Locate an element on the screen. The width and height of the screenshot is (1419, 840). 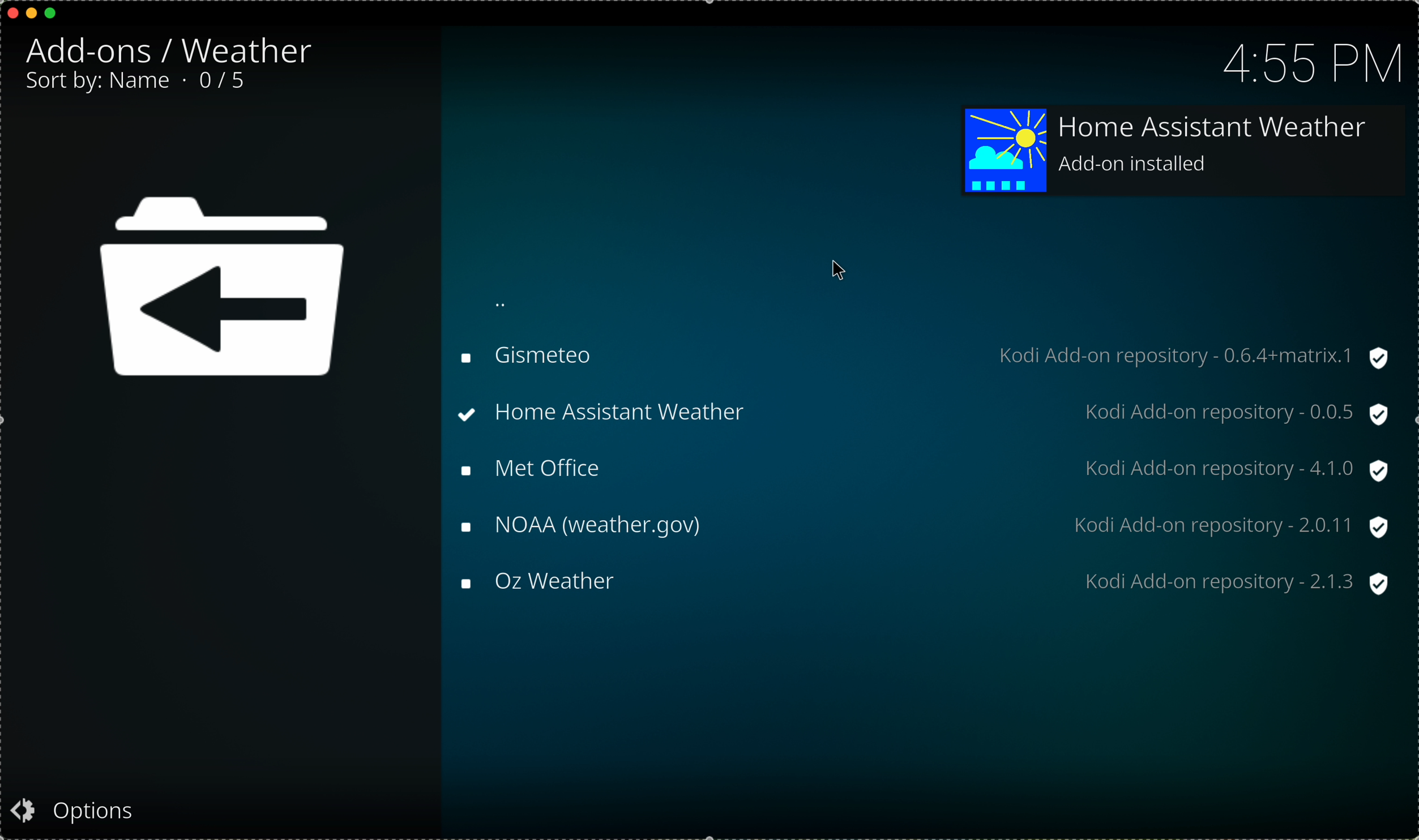
mouse is located at coordinates (836, 272).